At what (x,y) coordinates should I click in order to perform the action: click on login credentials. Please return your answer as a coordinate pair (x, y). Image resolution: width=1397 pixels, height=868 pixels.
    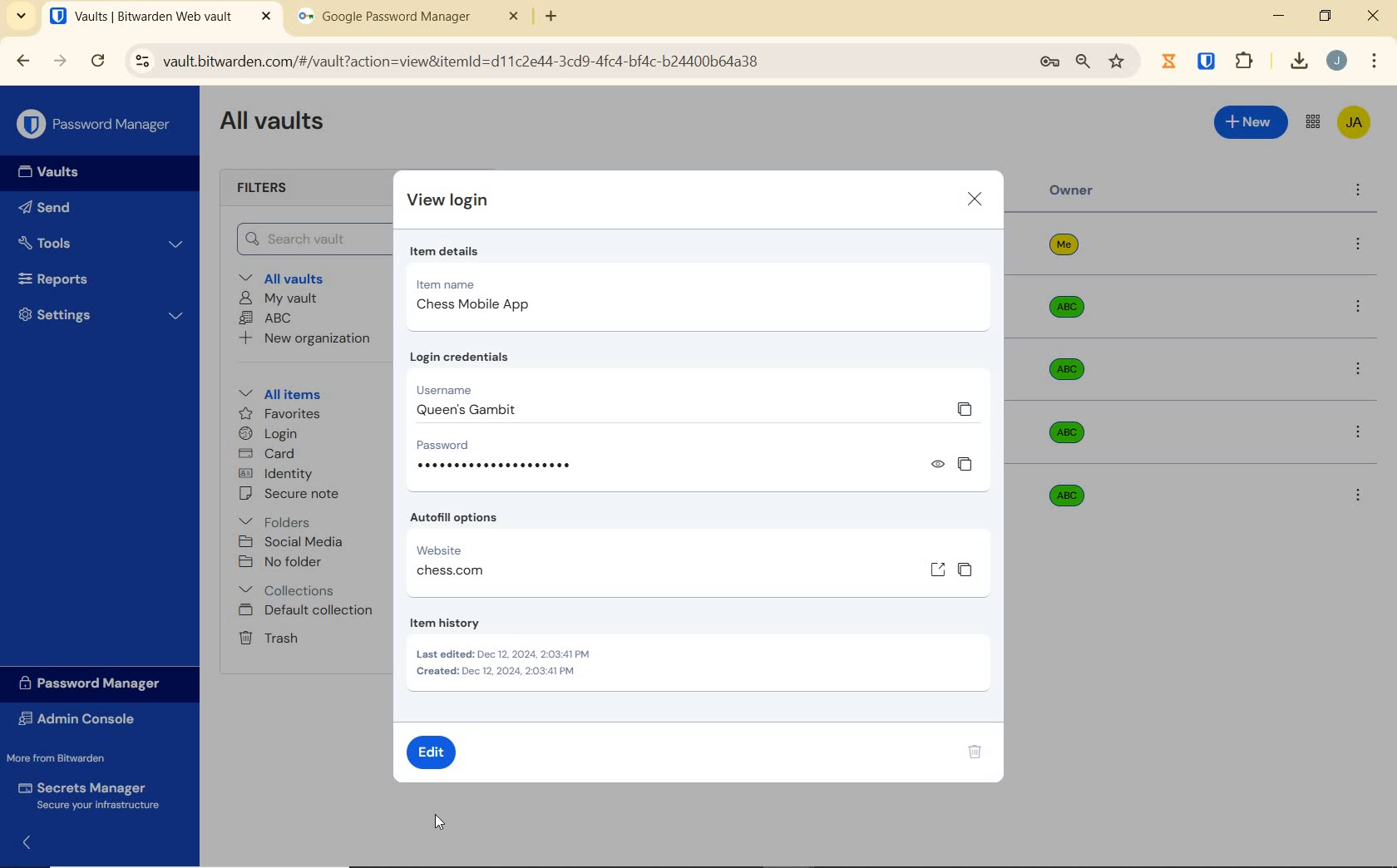
    Looking at the image, I should click on (466, 357).